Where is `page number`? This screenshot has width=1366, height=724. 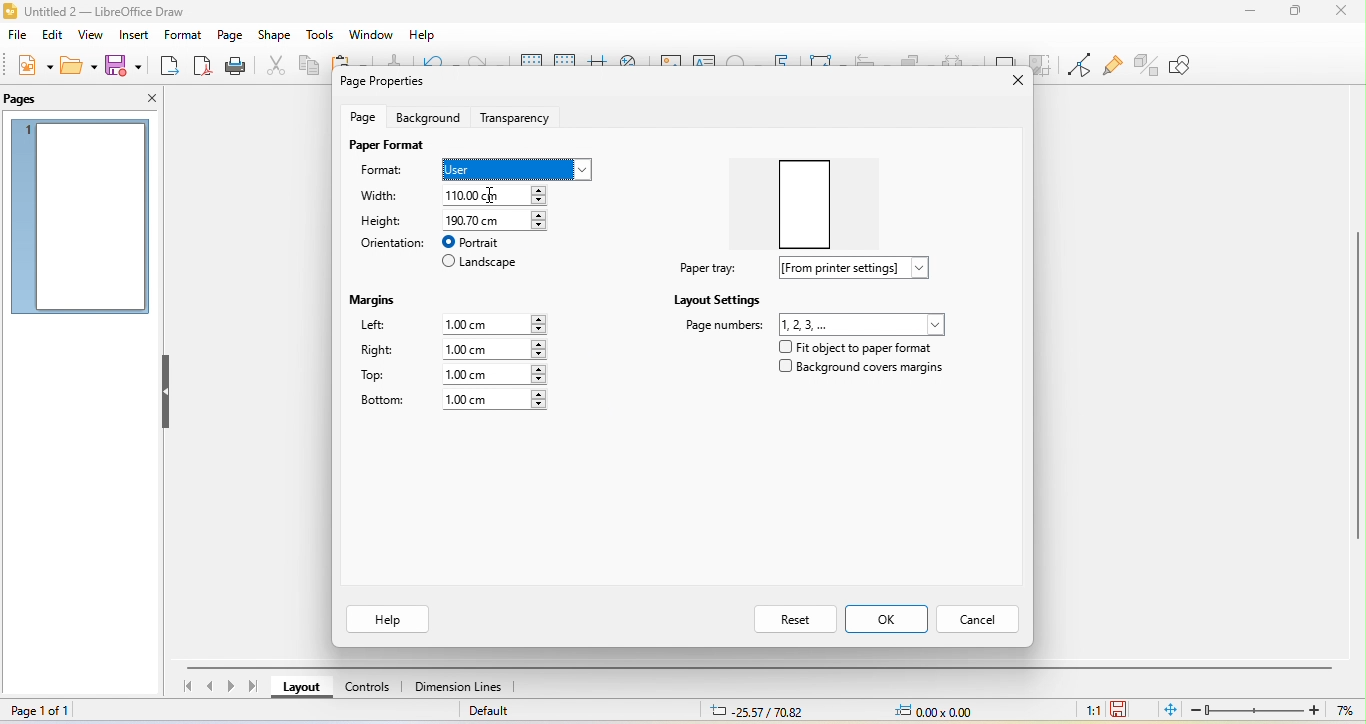 page number is located at coordinates (816, 323).